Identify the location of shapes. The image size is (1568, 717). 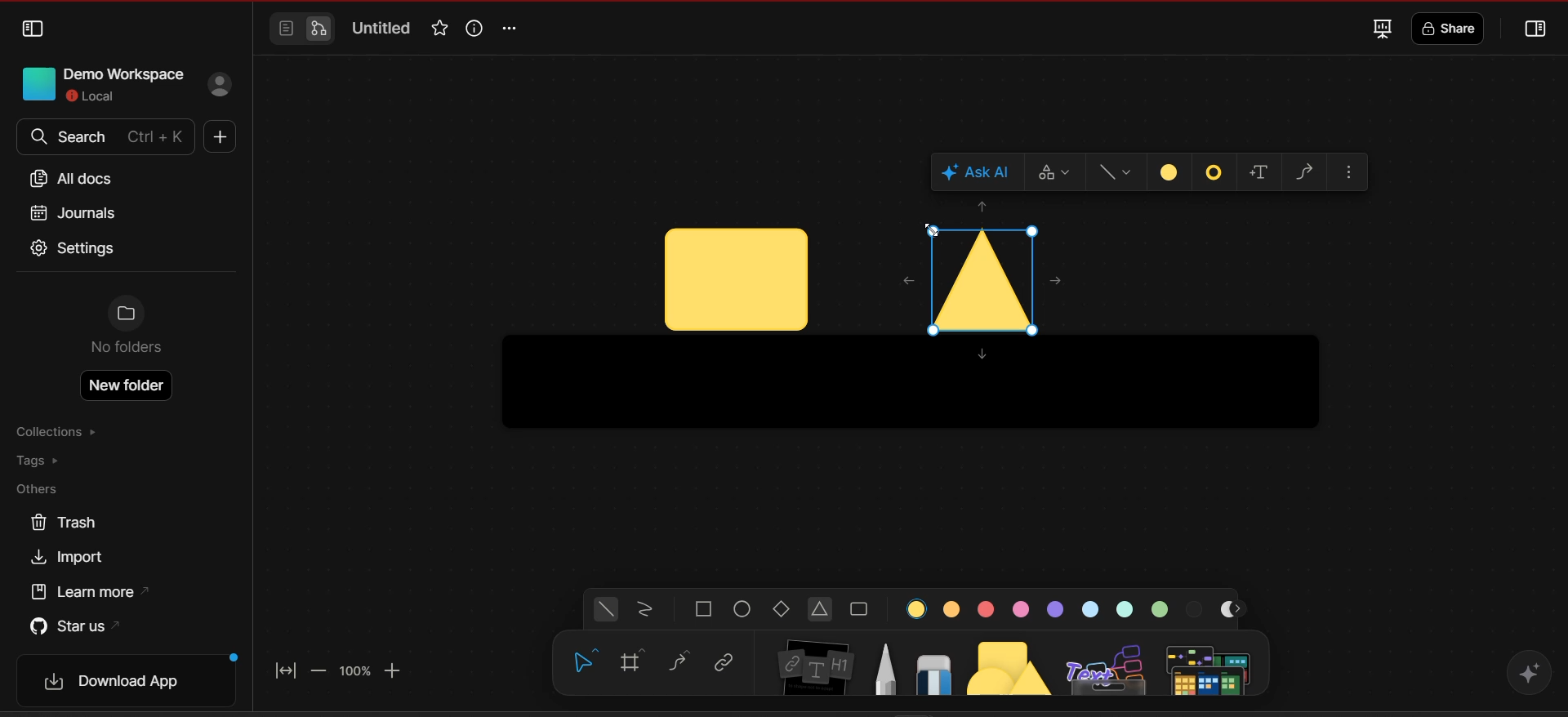
(1011, 664).